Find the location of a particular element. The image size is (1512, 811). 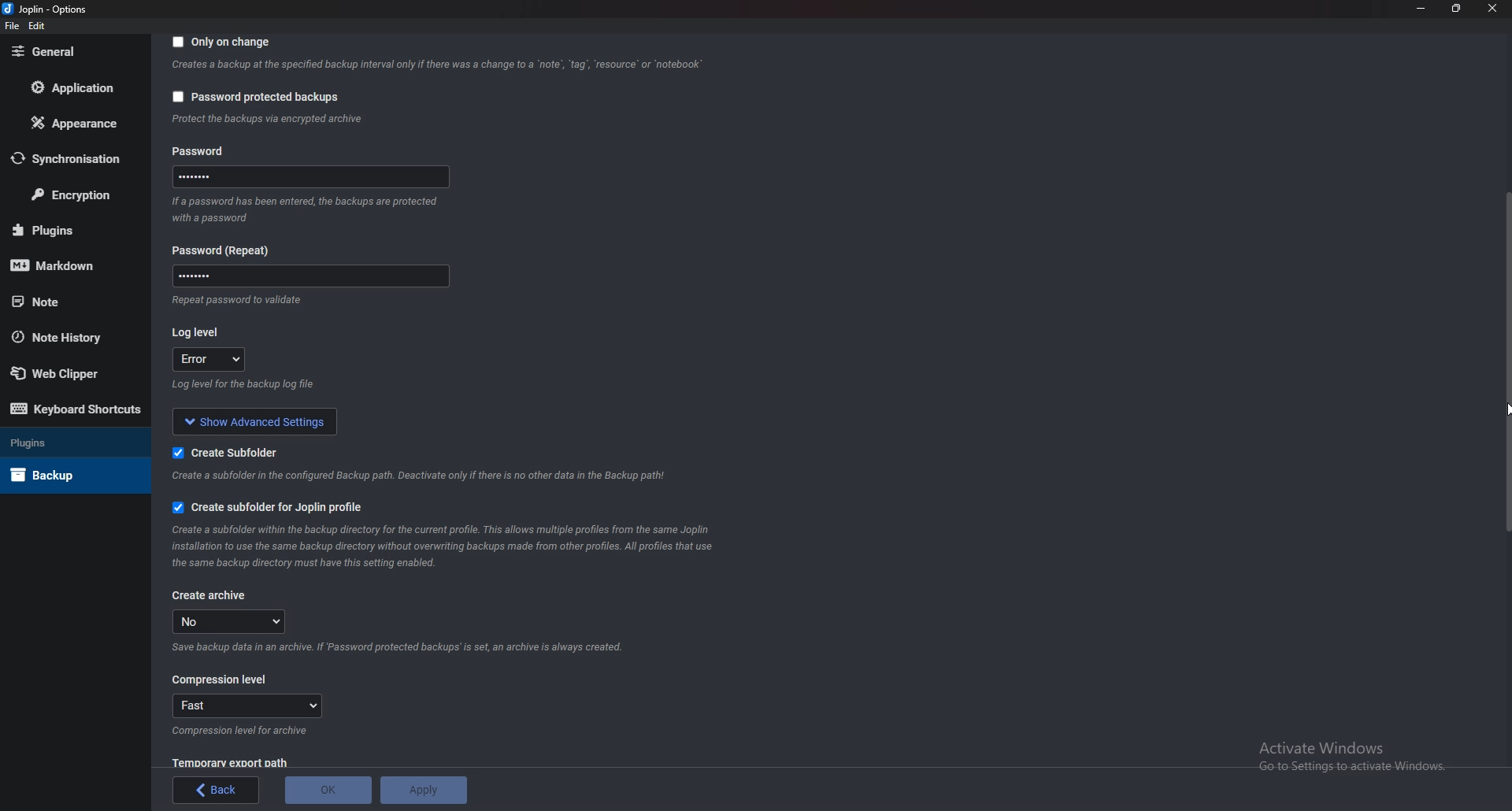

Password protected backups is located at coordinates (255, 97).